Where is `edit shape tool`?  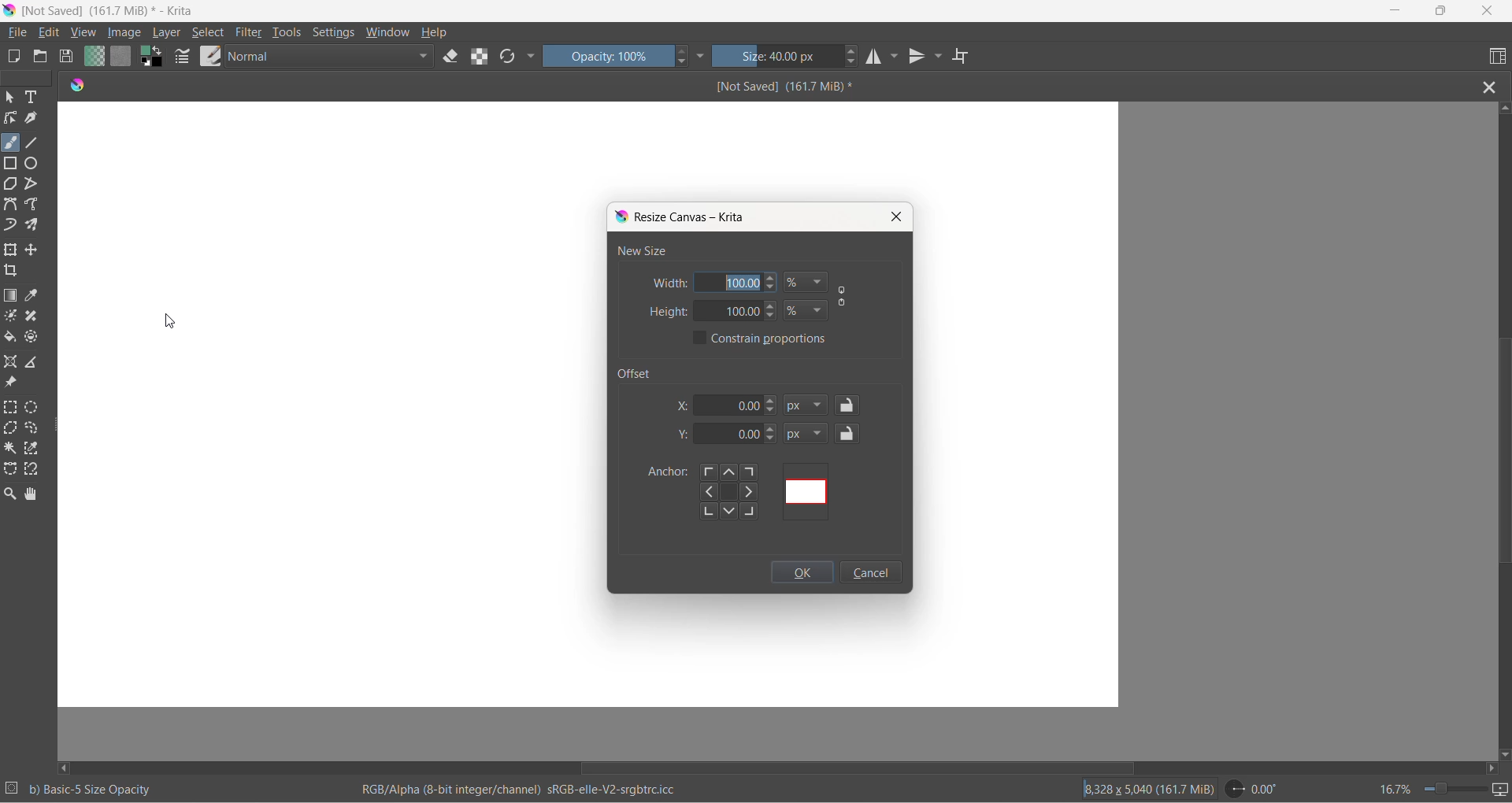 edit shape tool is located at coordinates (10, 118).